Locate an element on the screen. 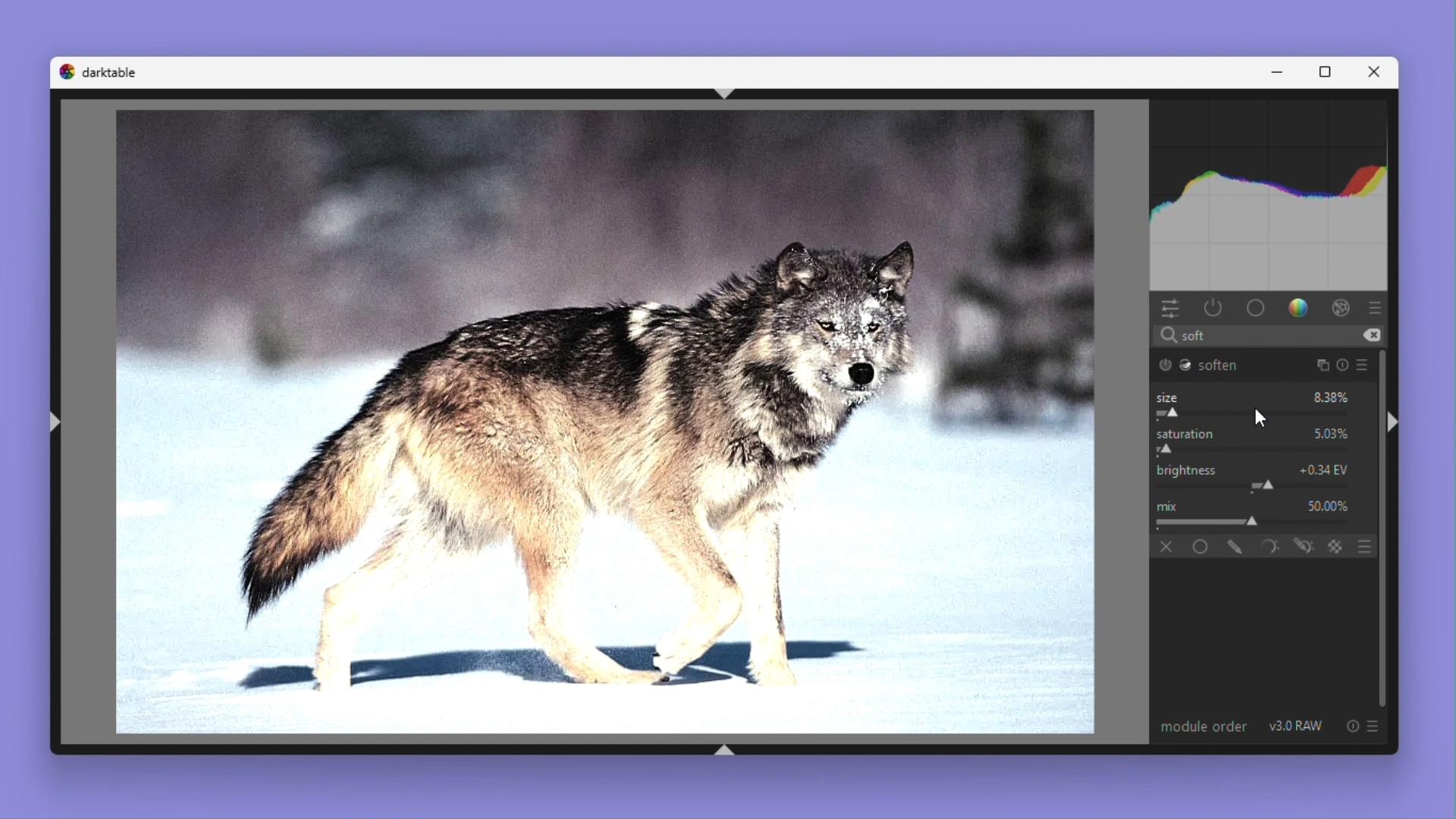 Image resolution: width=1456 pixels, height=819 pixels. Preset is located at coordinates (1367, 365).